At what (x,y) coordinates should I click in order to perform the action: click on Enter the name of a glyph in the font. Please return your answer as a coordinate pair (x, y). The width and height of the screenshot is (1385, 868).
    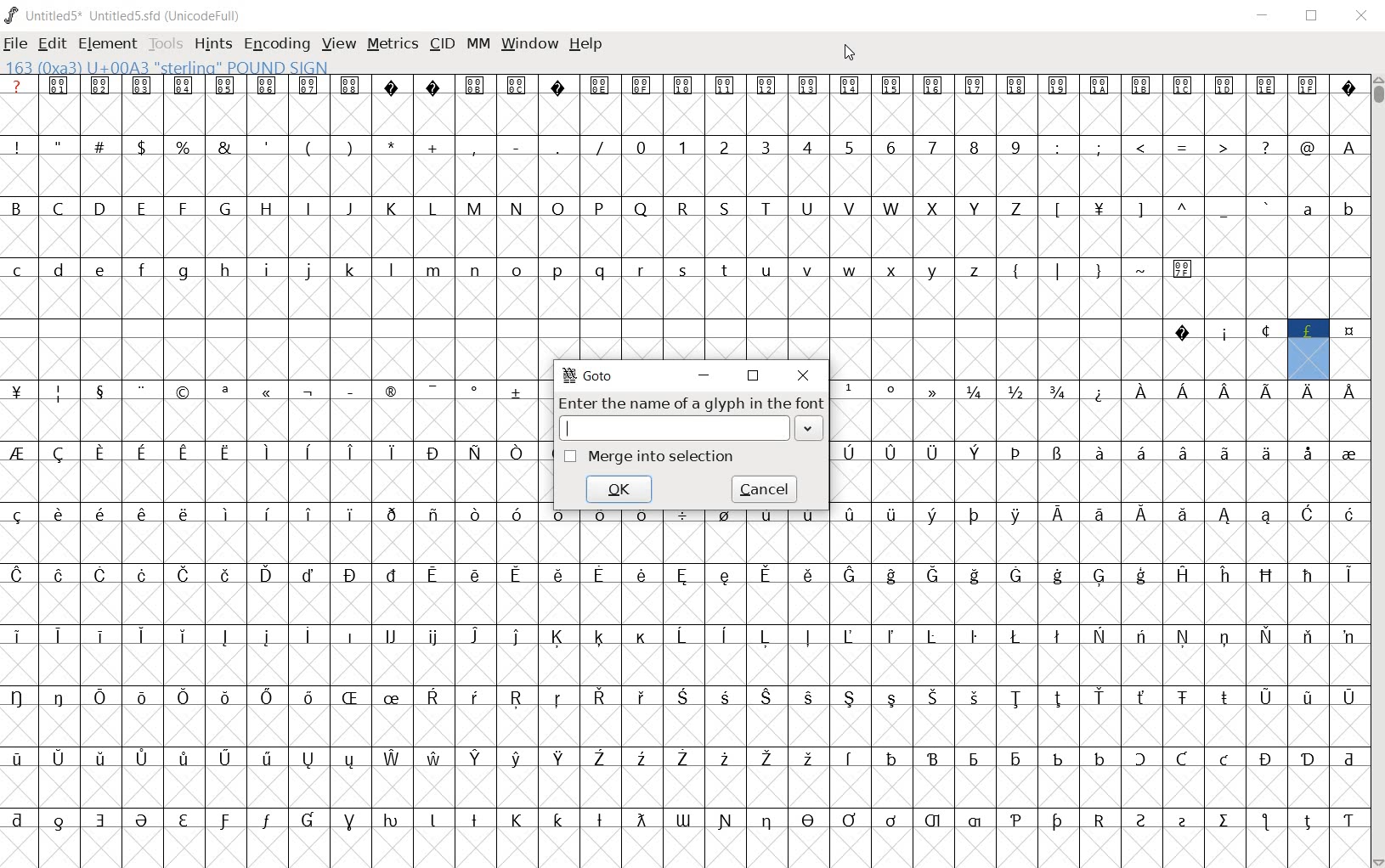
    Looking at the image, I should click on (690, 420).